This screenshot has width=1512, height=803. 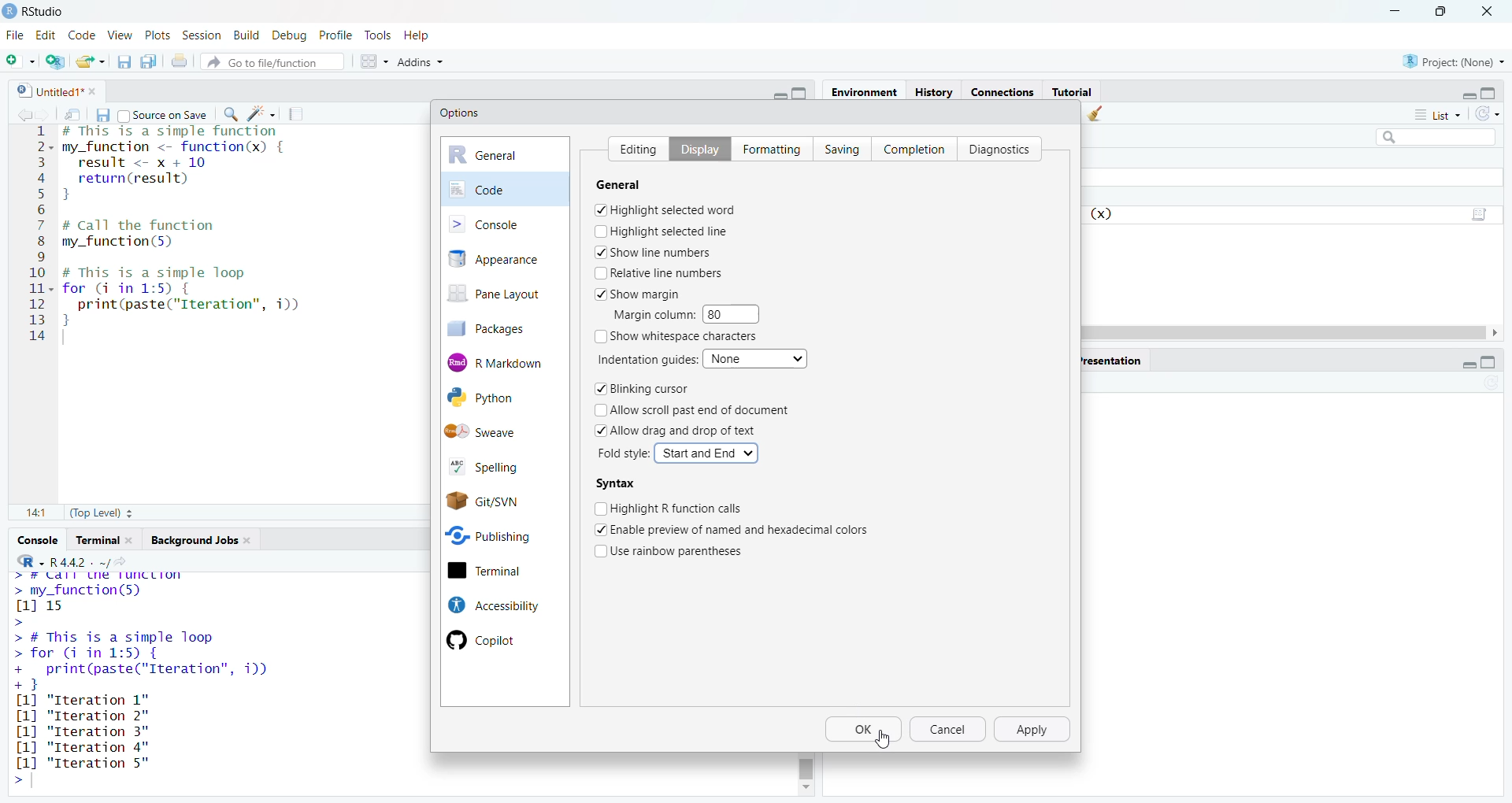 I want to click on relative line numbers, so click(x=660, y=272).